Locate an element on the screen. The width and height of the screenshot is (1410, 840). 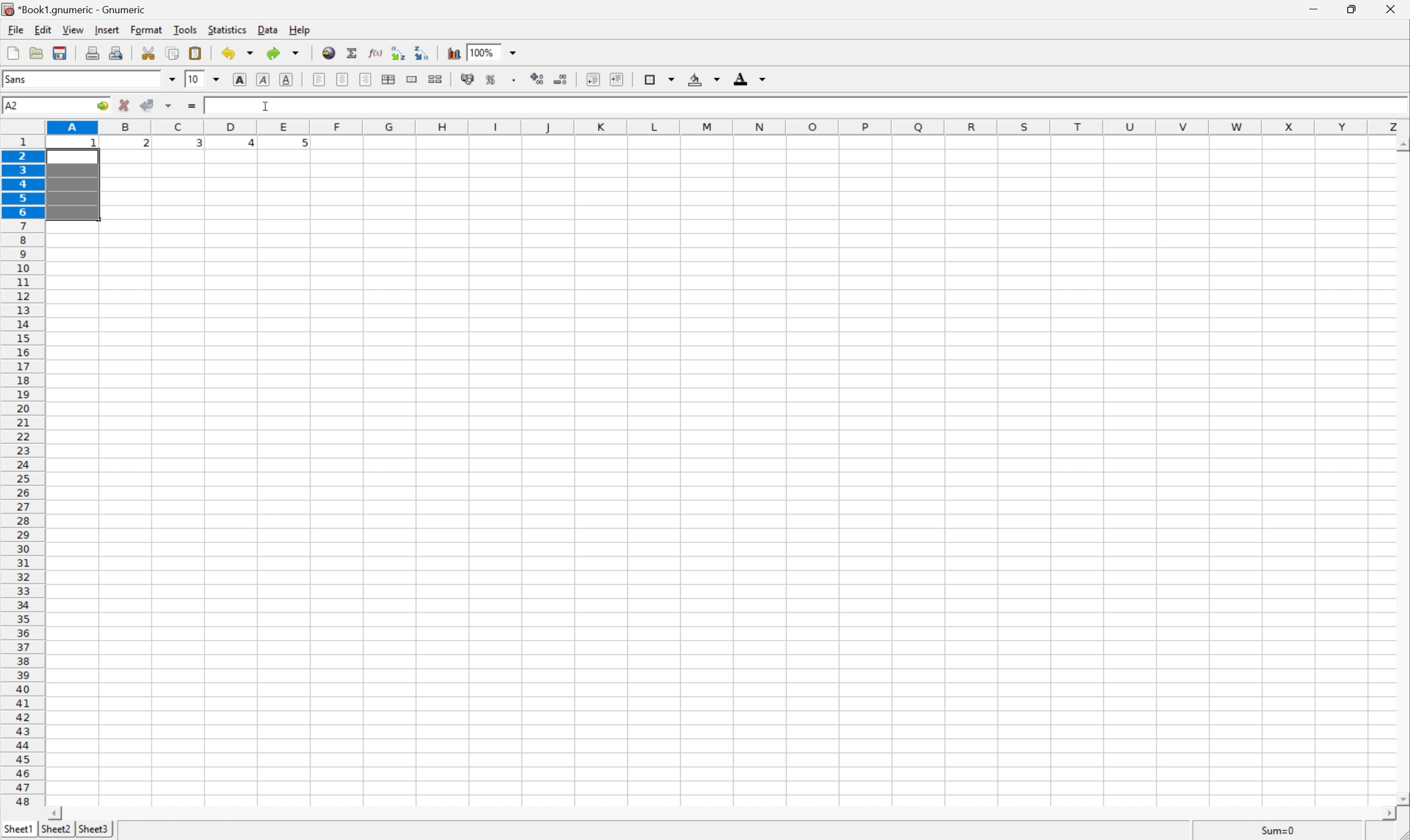
3 is located at coordinates (198, 145).